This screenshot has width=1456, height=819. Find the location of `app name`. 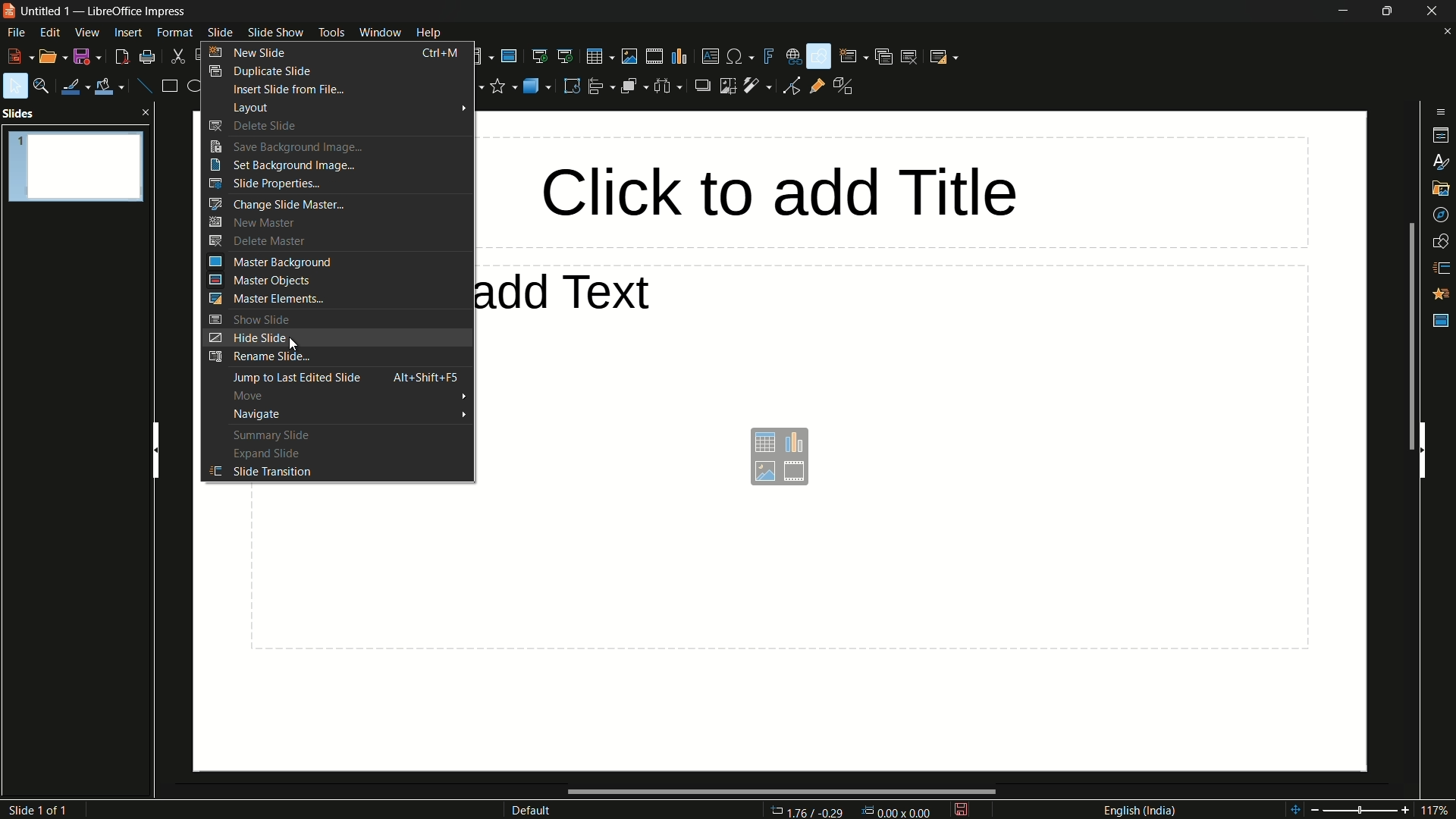

app name is located at coordinates (137, 10).